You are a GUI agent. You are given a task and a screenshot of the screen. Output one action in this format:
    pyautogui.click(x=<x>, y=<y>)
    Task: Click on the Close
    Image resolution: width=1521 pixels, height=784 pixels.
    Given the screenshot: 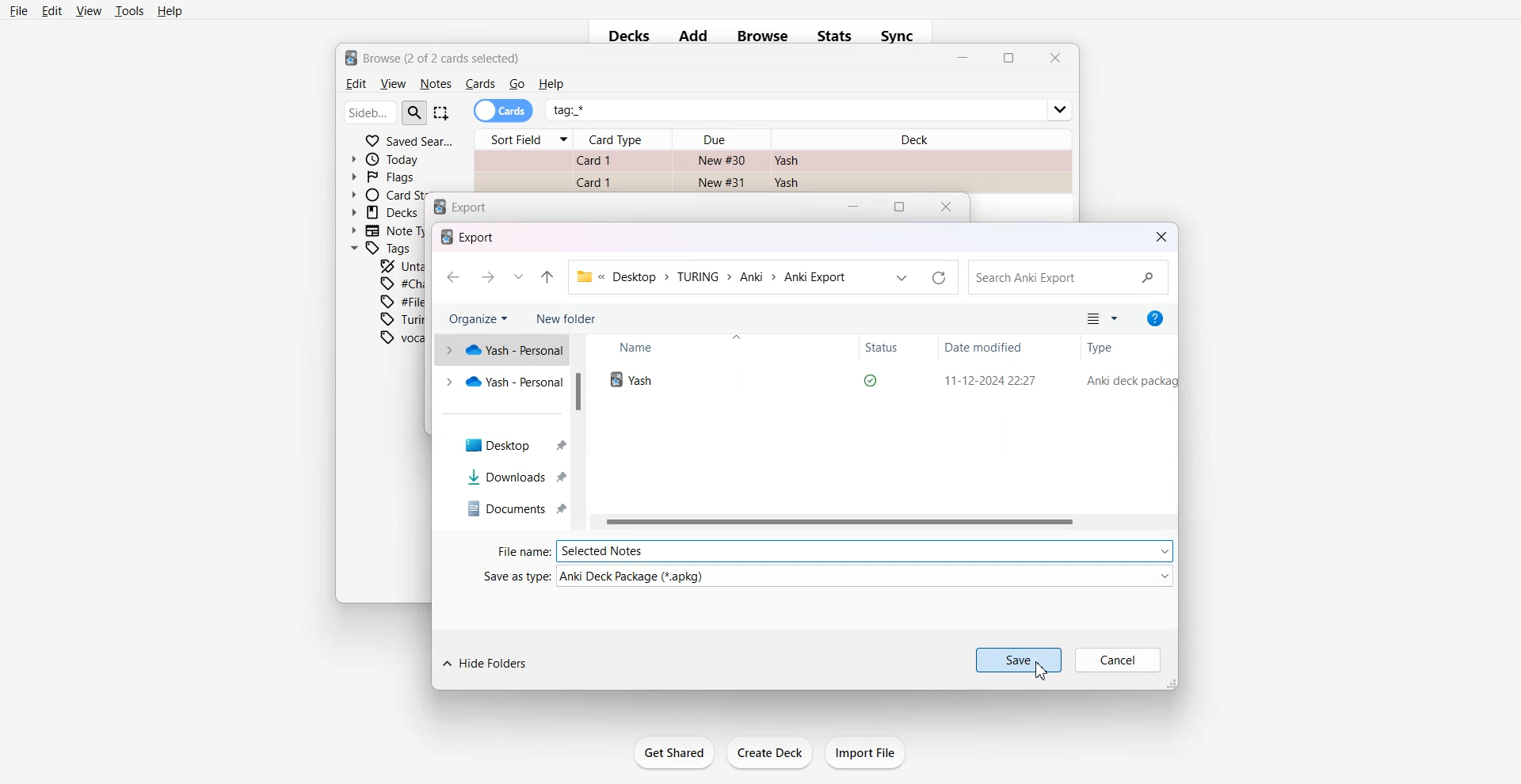 What is the action you would take?
    pyautogui.click(x=1054, y=58)
    